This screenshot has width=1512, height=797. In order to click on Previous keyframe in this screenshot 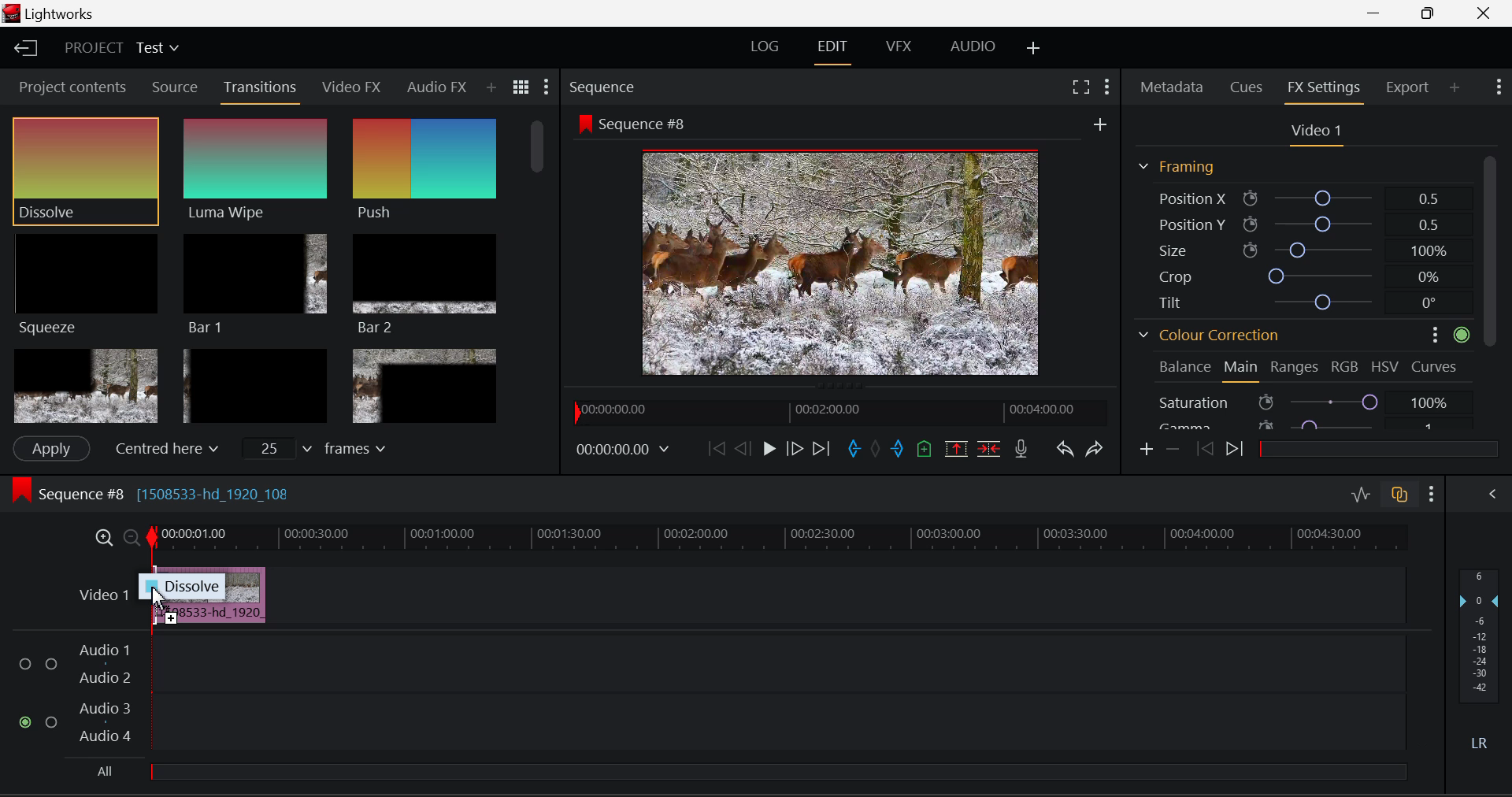, I will do `click(1204, 450)`.